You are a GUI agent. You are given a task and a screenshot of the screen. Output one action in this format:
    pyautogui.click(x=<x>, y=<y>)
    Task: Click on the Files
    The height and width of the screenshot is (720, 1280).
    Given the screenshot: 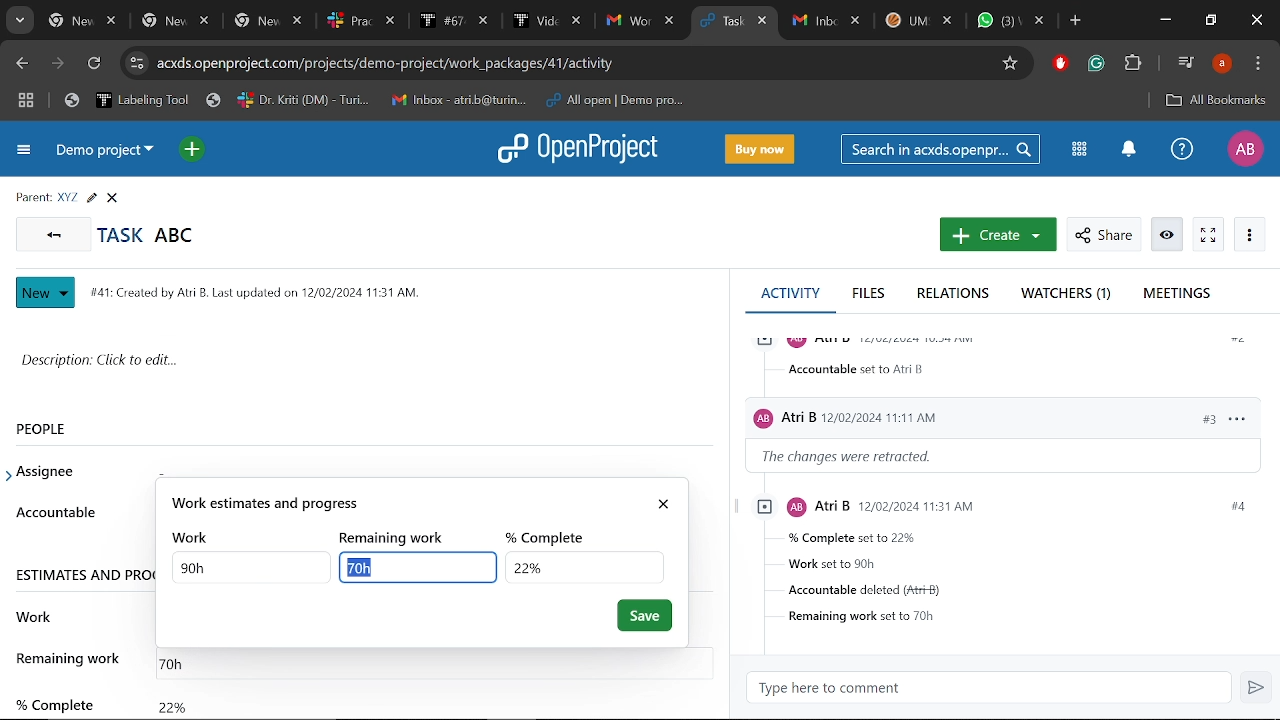 What is the action you would take?
    pyautogui.click(x=870, y=295)
    